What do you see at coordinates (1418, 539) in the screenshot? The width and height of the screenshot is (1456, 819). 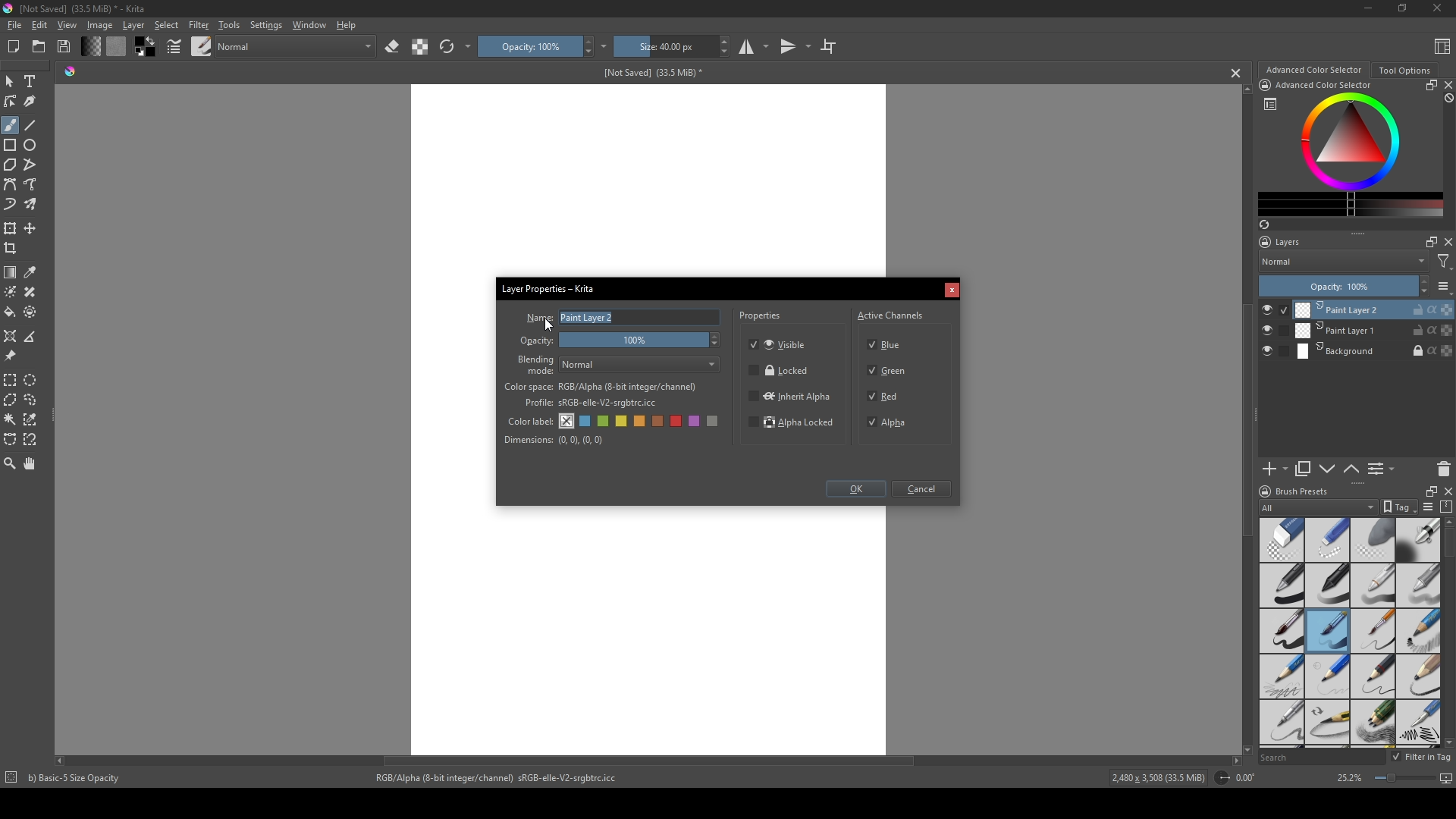 I see `blending tool` at bounding box center [1418, 539].